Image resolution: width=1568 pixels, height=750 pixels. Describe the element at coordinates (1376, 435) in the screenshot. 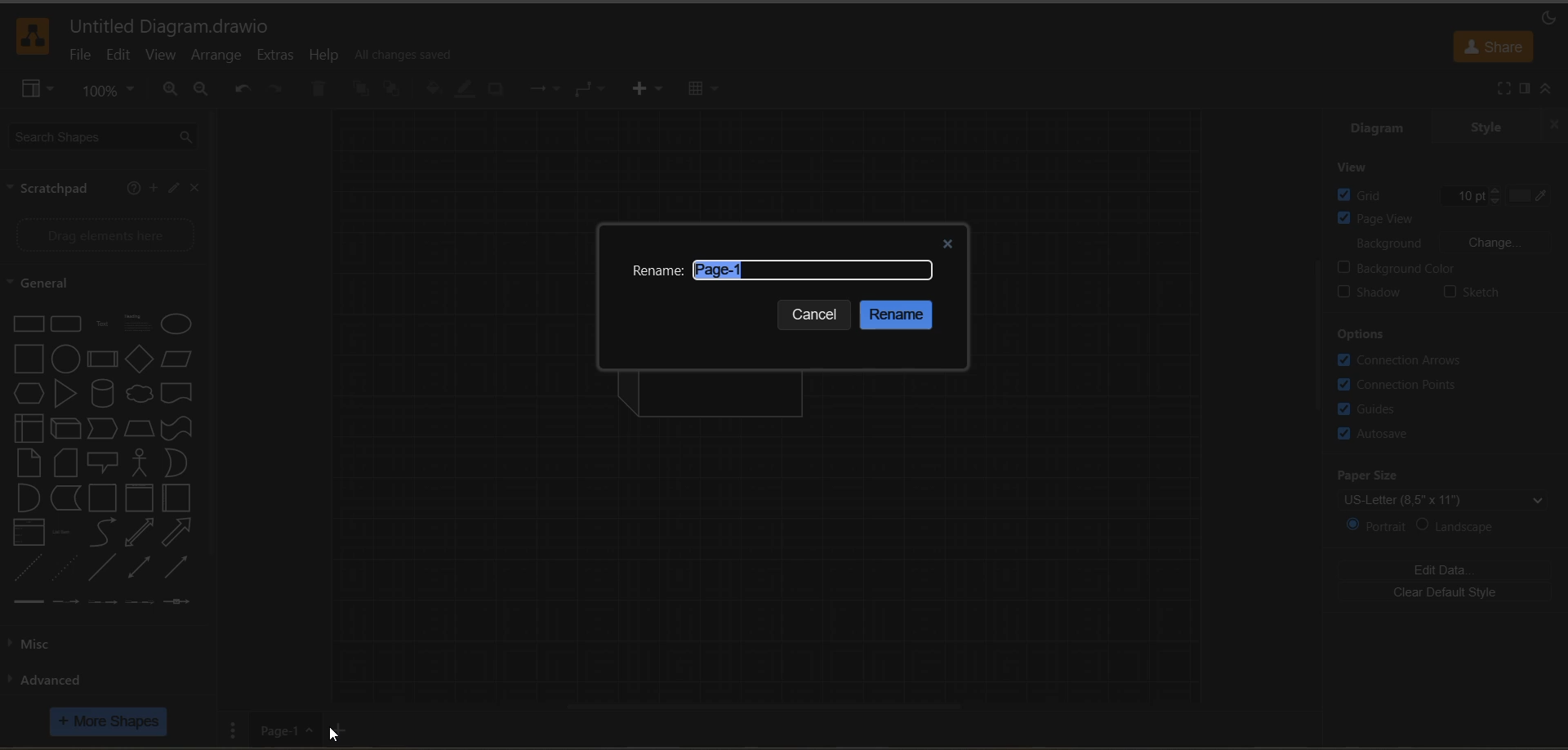

I see `autosave` at that location.